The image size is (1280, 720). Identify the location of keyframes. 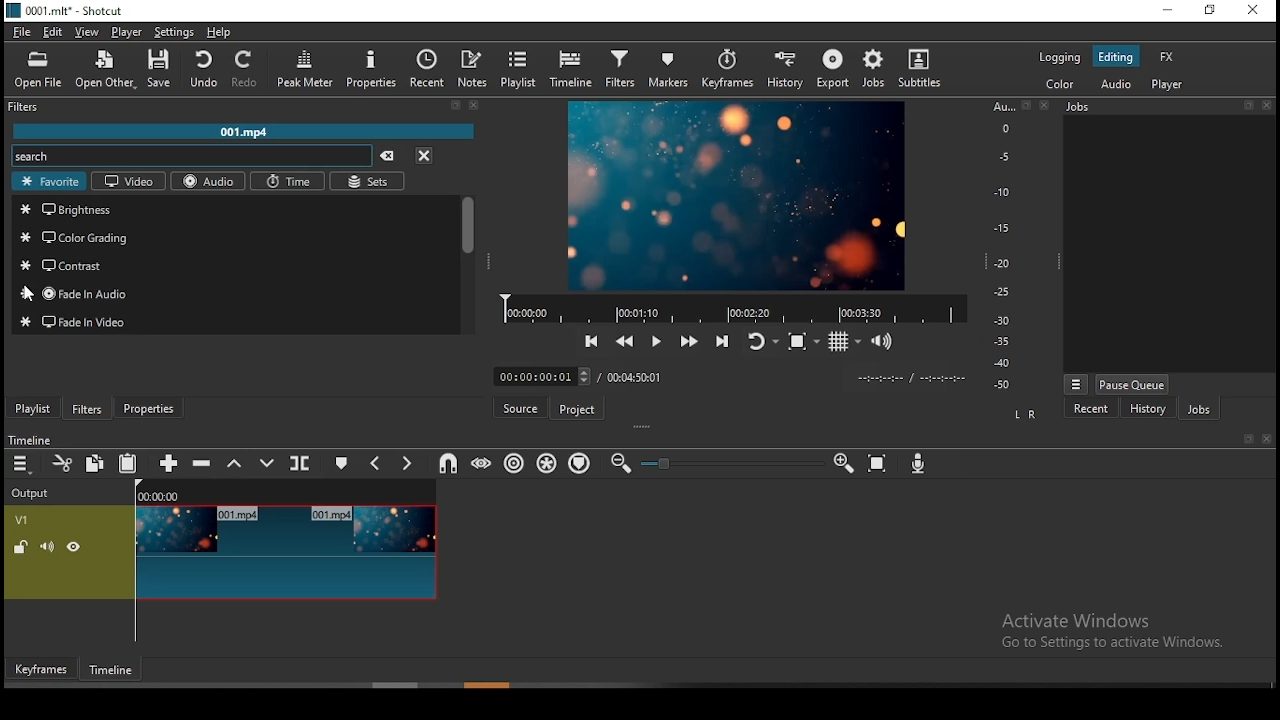
(41, 669).